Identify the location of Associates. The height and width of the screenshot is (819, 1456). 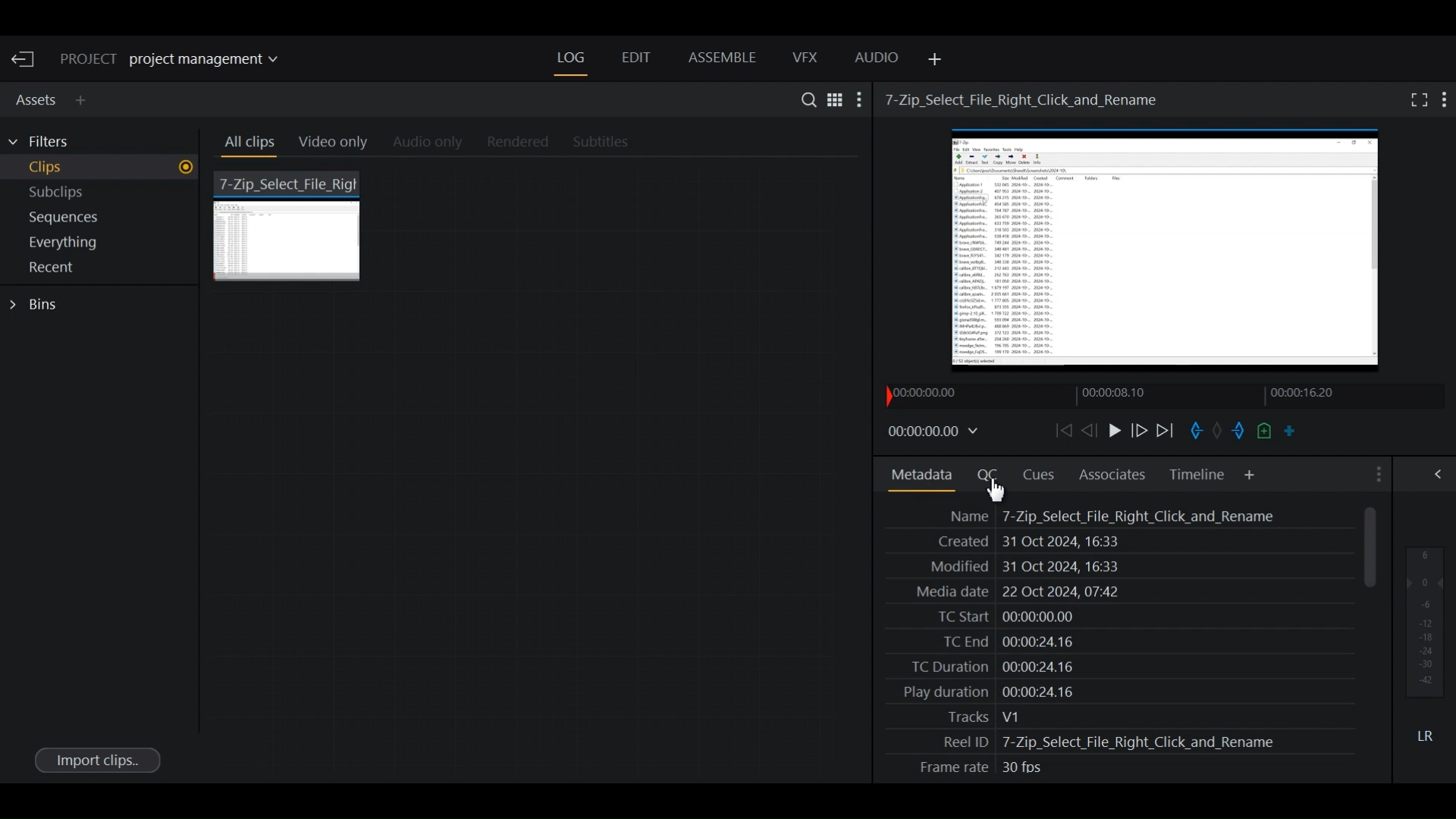
(1112, 474).